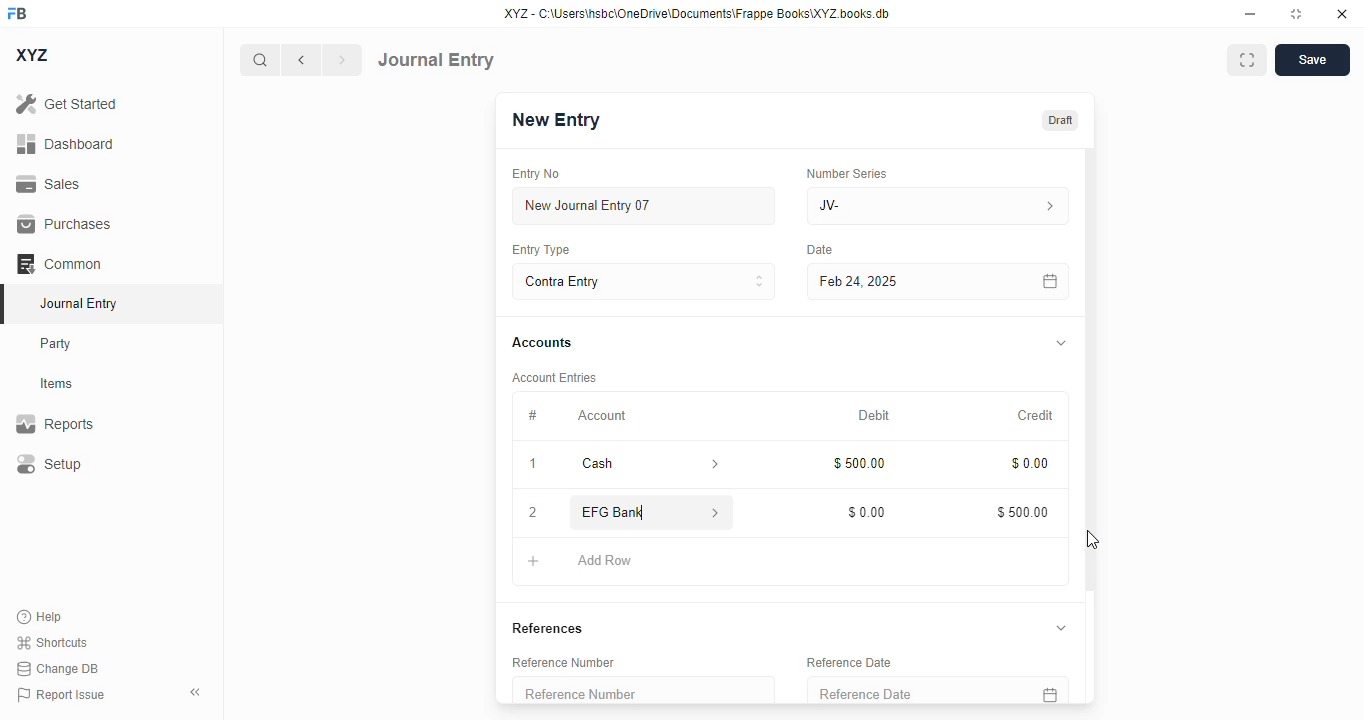 The image size is (1364, 720). I want to click on toggle expand/collapse, so click(1062, 342).